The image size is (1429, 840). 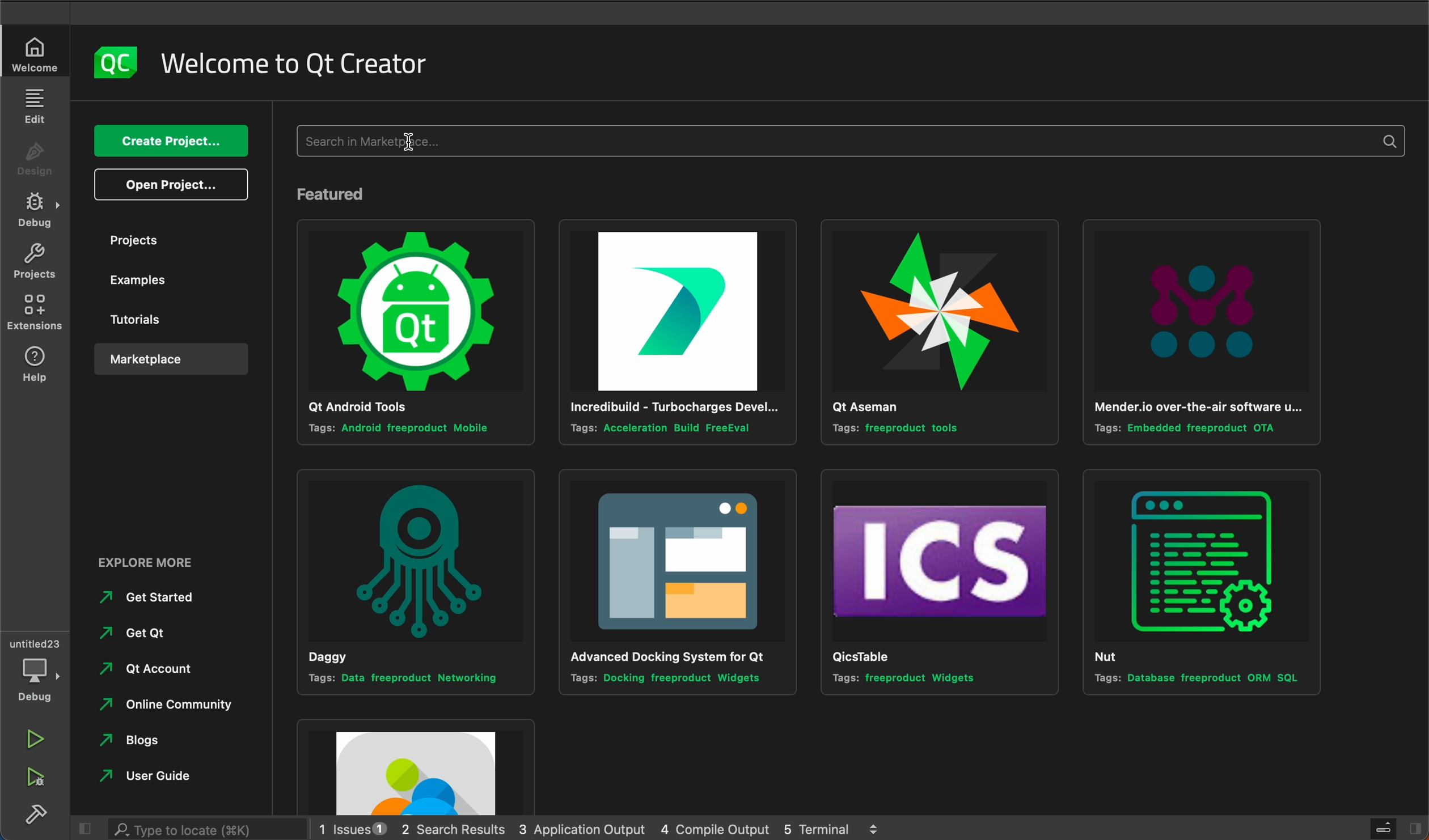 What do you see at coordinates (116, 61) in the screenshot?
I see `logo` at bounding box center [116, 61].